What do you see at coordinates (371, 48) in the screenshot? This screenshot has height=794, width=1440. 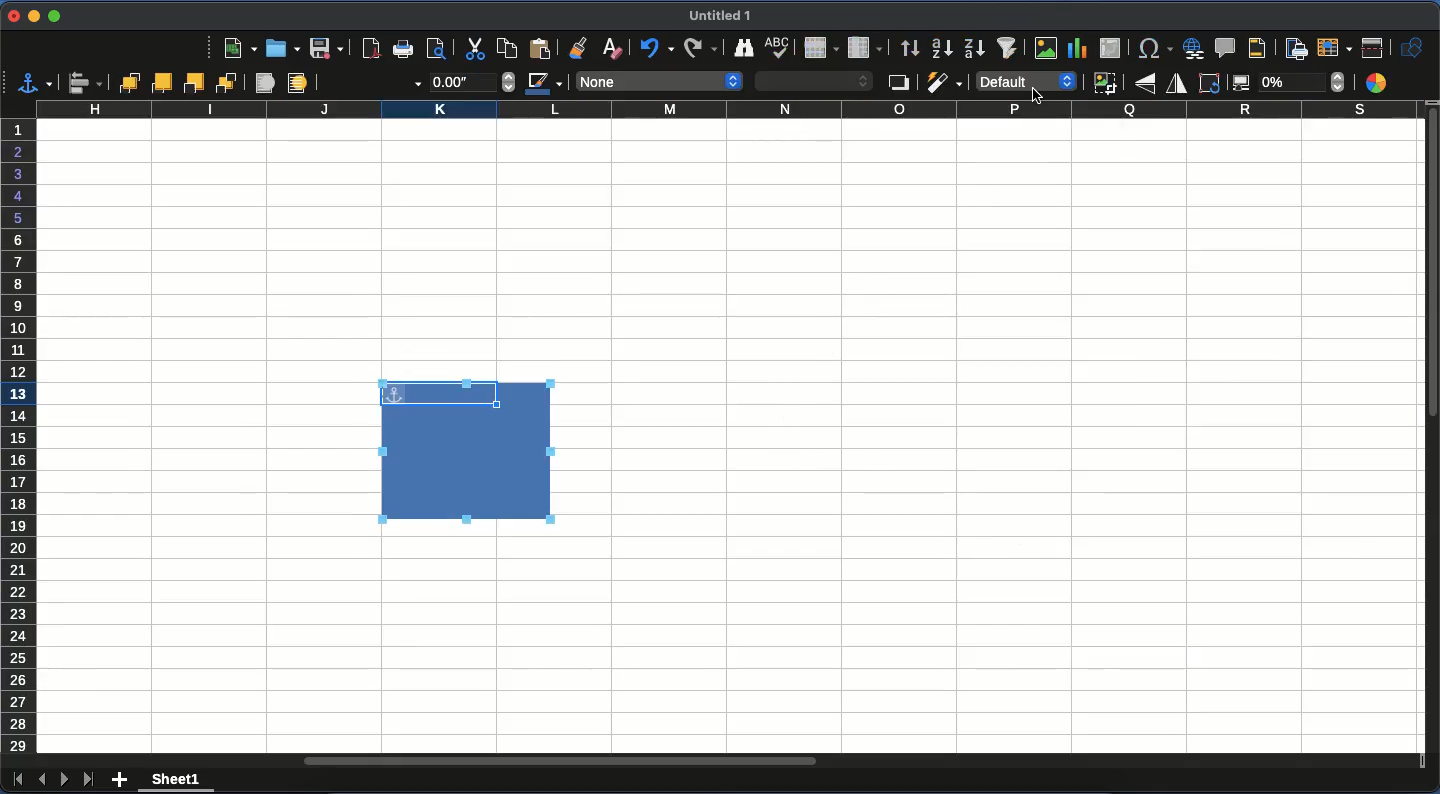 I see `pdf` at bounding box center [371, 48].